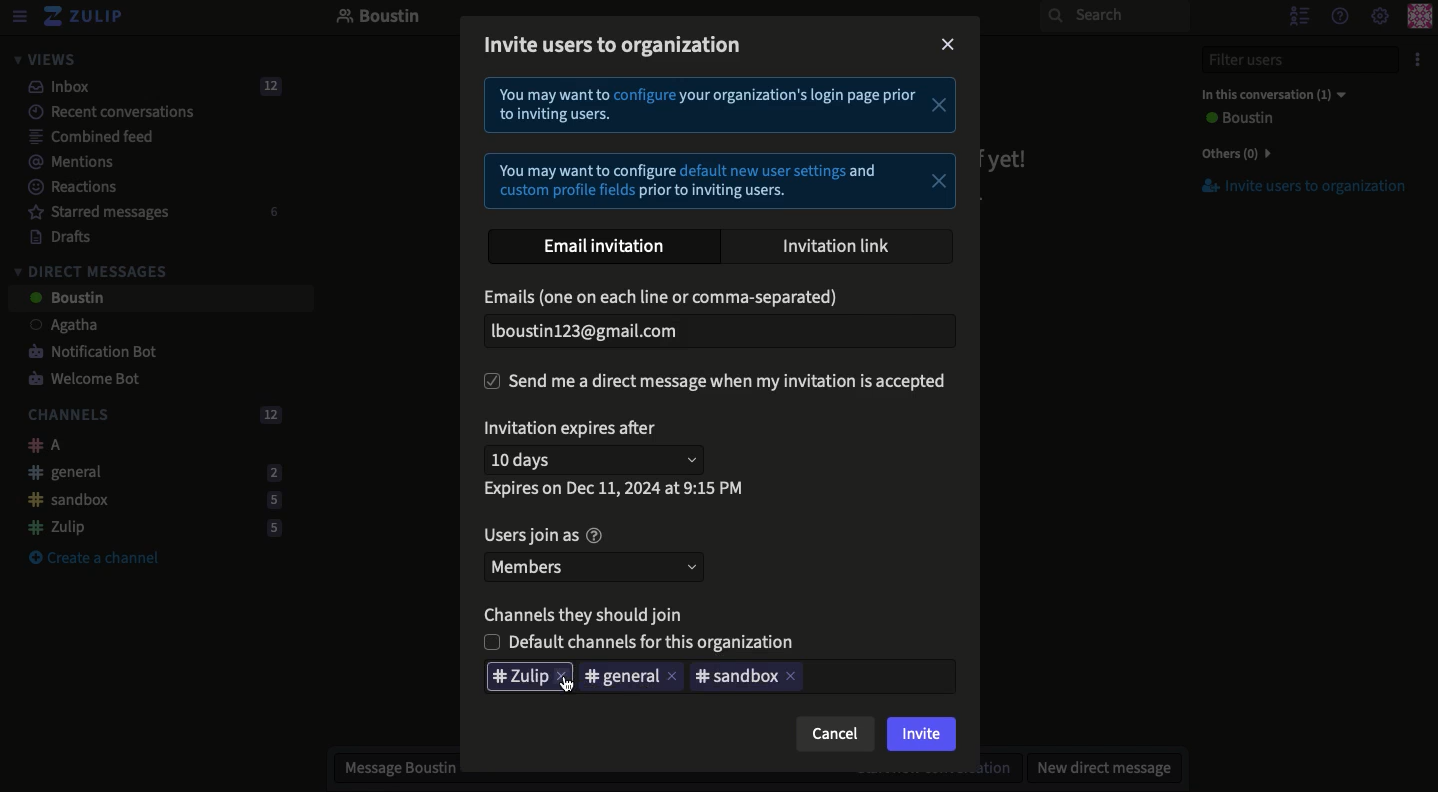 This screenshot has width=1438, height=792. Describe the element at coordinates (44, 59) in the screenshot. I see `Views` at that location.